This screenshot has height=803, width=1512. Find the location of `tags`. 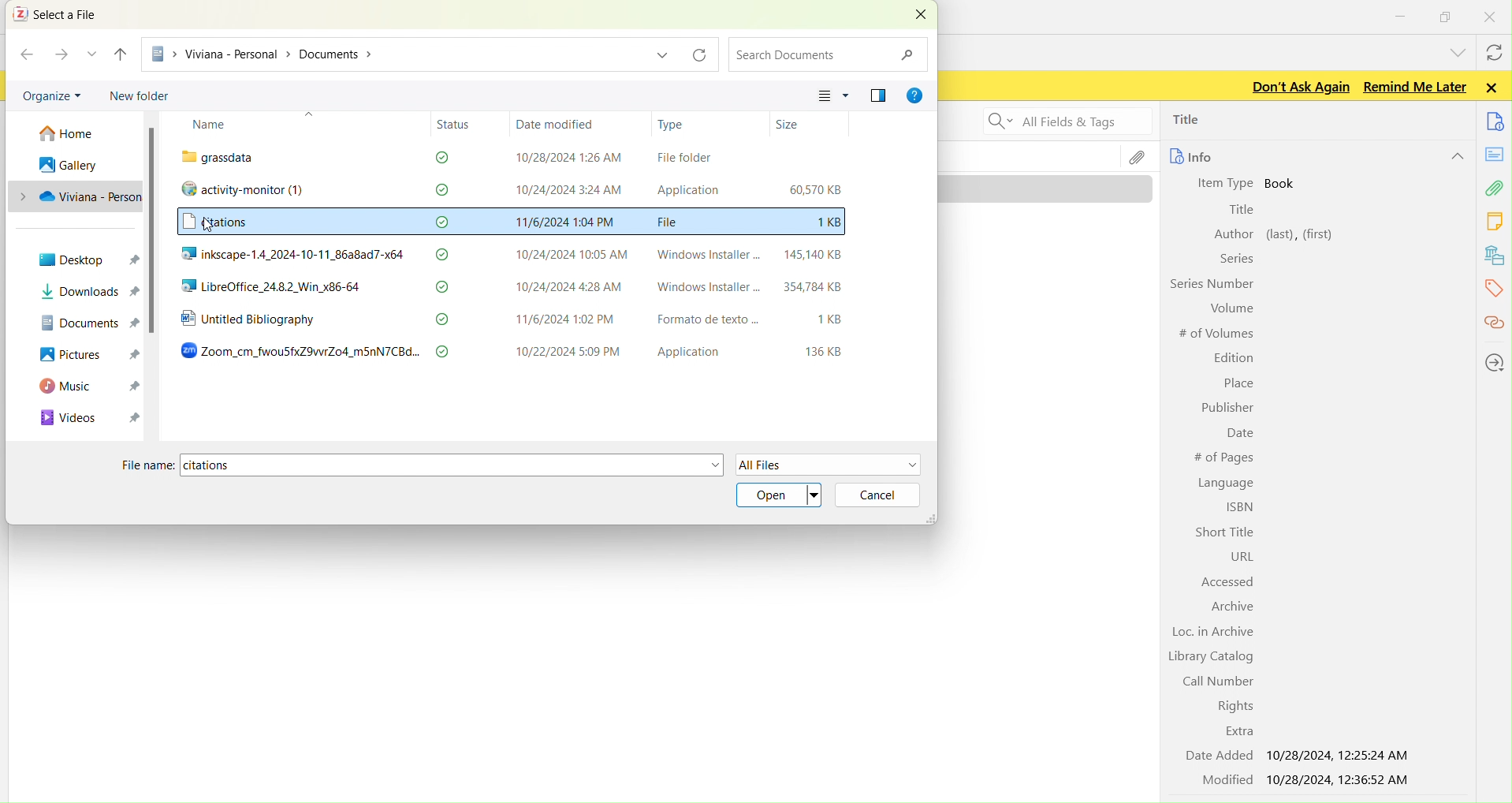

tags is located at coordinates (1495, 288).